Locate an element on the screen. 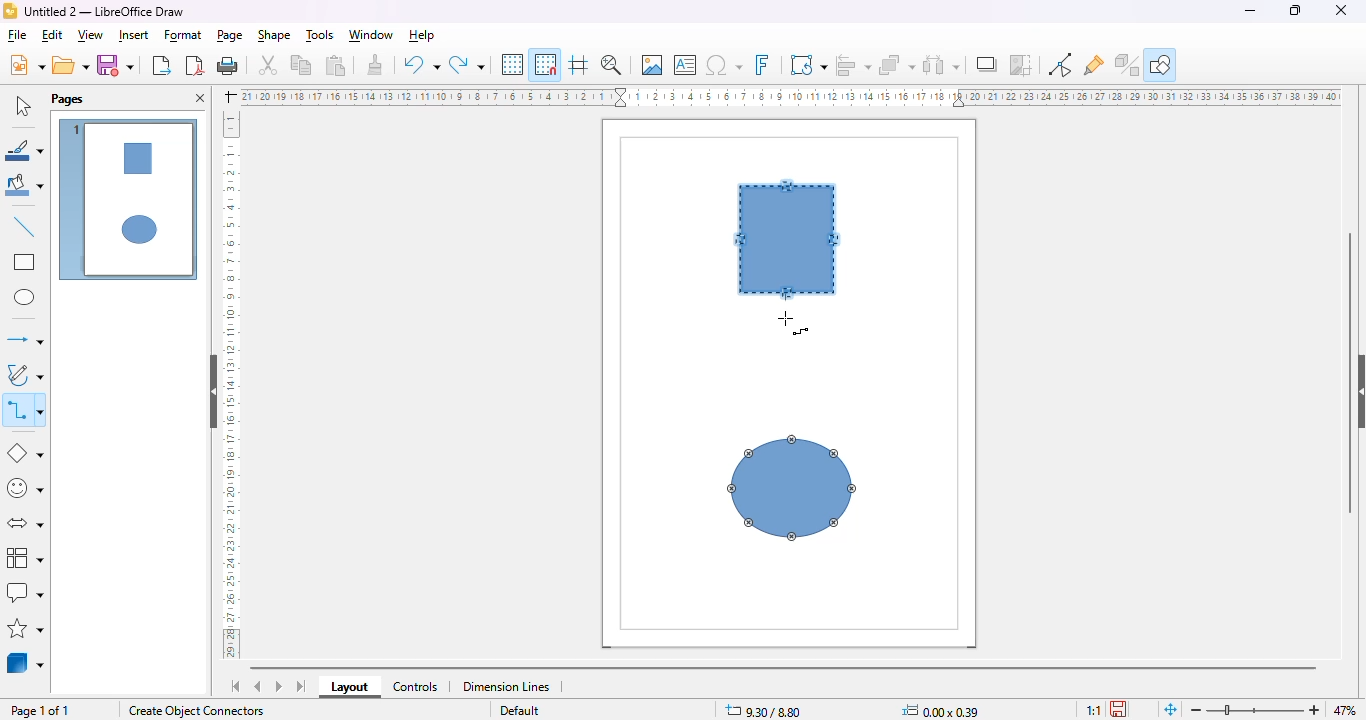 This screenshot has height=720, width=1366. save is located at coordinates (115, 64).